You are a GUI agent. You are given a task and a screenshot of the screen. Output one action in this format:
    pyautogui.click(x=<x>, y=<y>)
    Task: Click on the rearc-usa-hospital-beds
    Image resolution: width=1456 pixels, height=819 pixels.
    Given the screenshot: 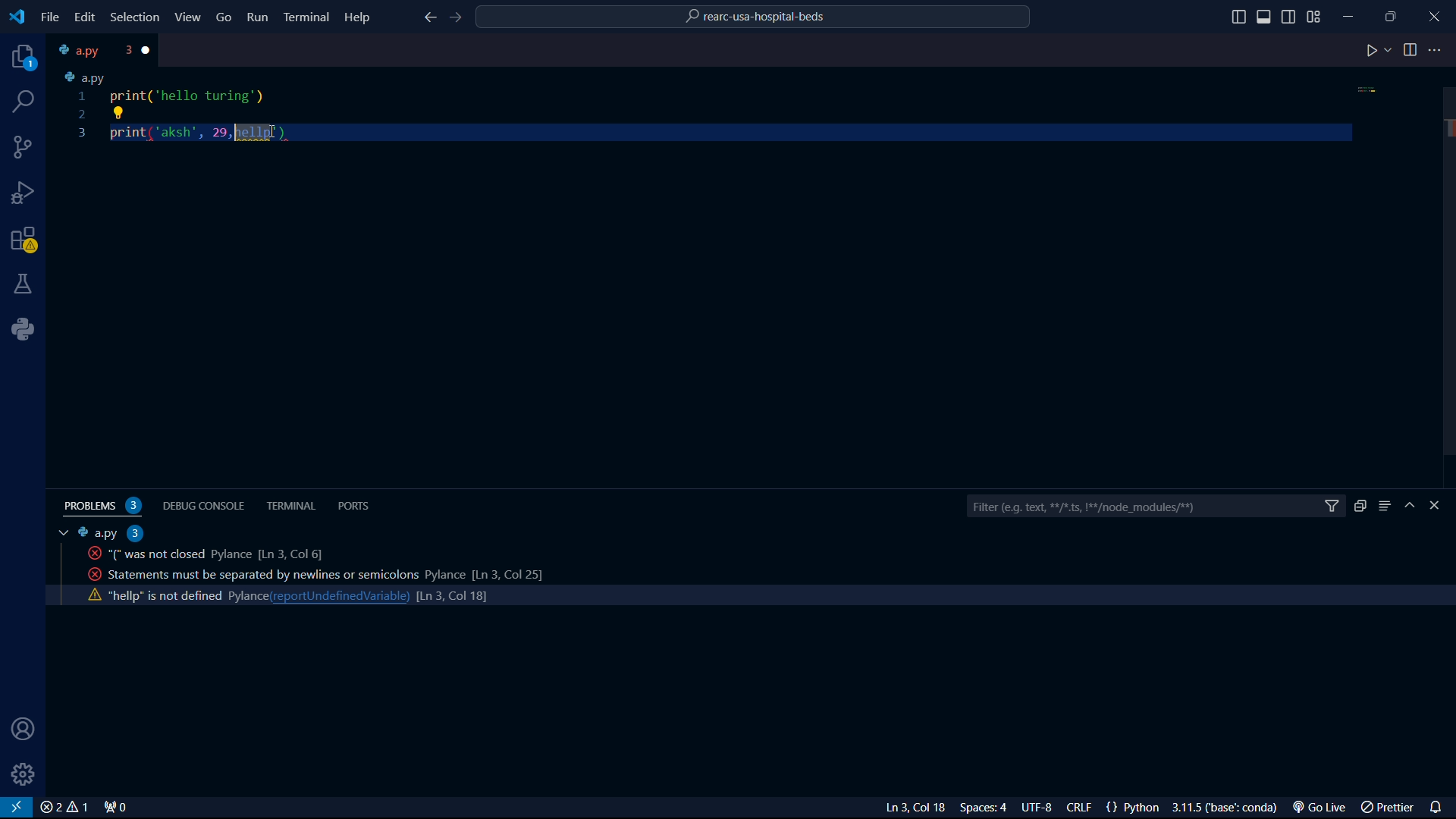 What is the action you would take?
    pyautogui.click(x=755, y=19)
    